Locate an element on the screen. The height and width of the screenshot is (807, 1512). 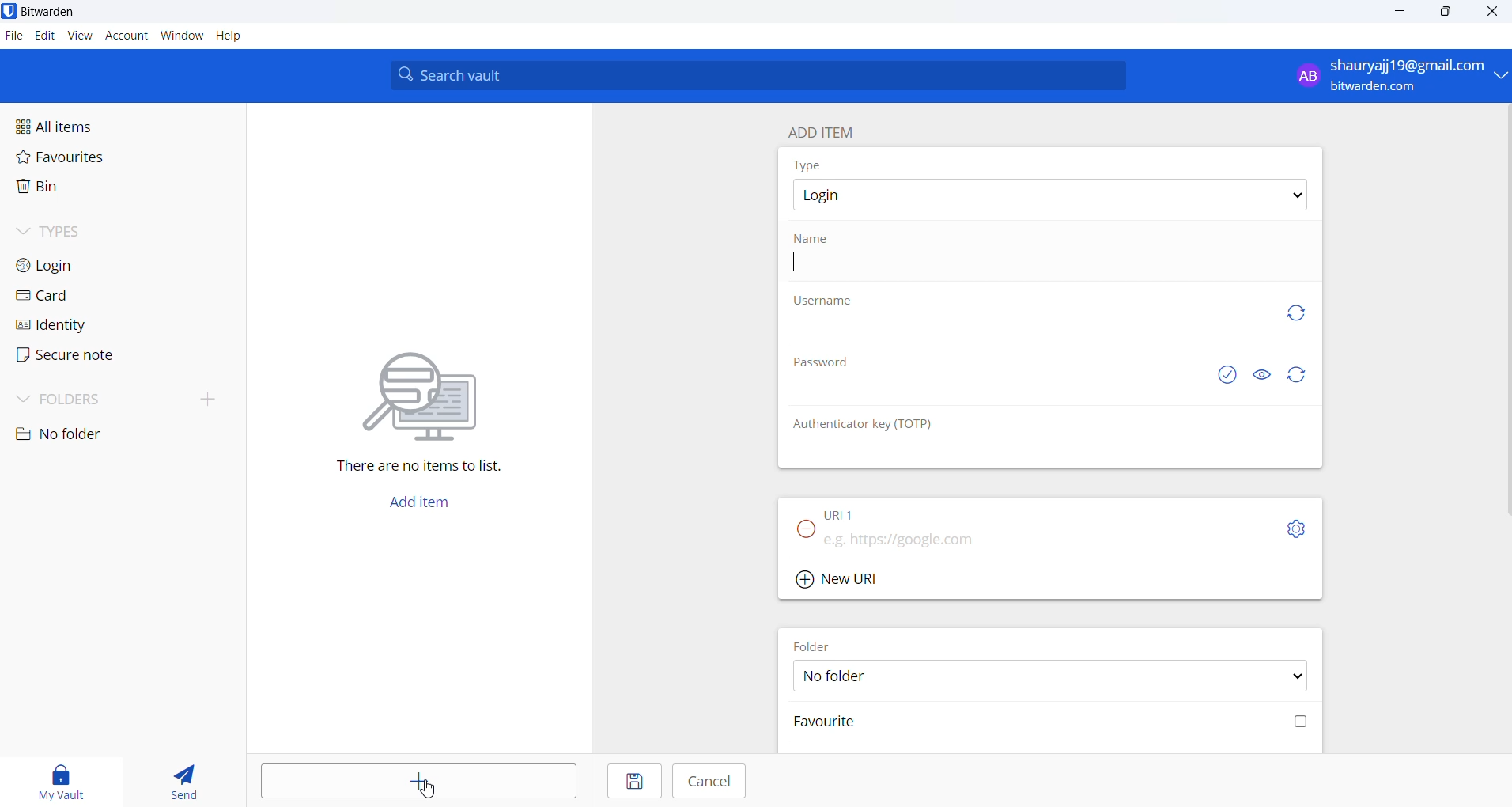
identity is located at coordinates (60, 324).